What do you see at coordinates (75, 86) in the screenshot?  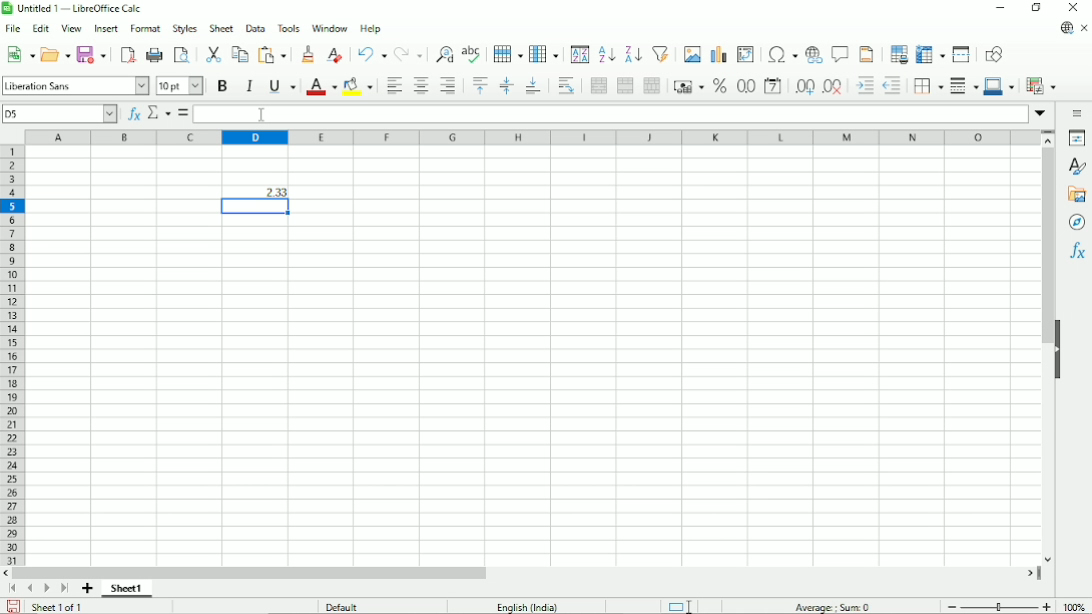 I see `Font style` at bounding box center [75, 86].